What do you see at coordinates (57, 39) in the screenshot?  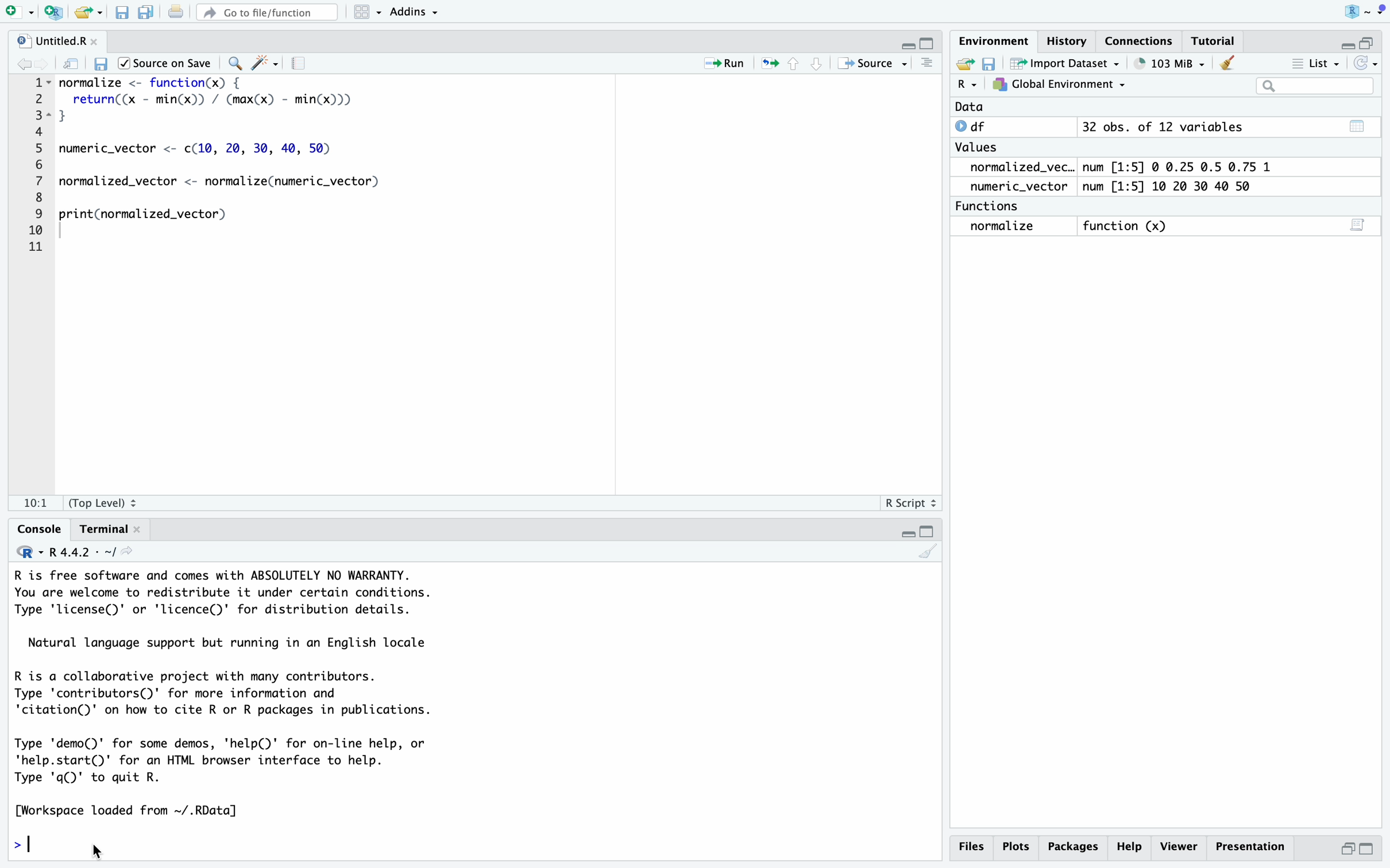 I see `Untitled.R` at bounding box center [57, 39].